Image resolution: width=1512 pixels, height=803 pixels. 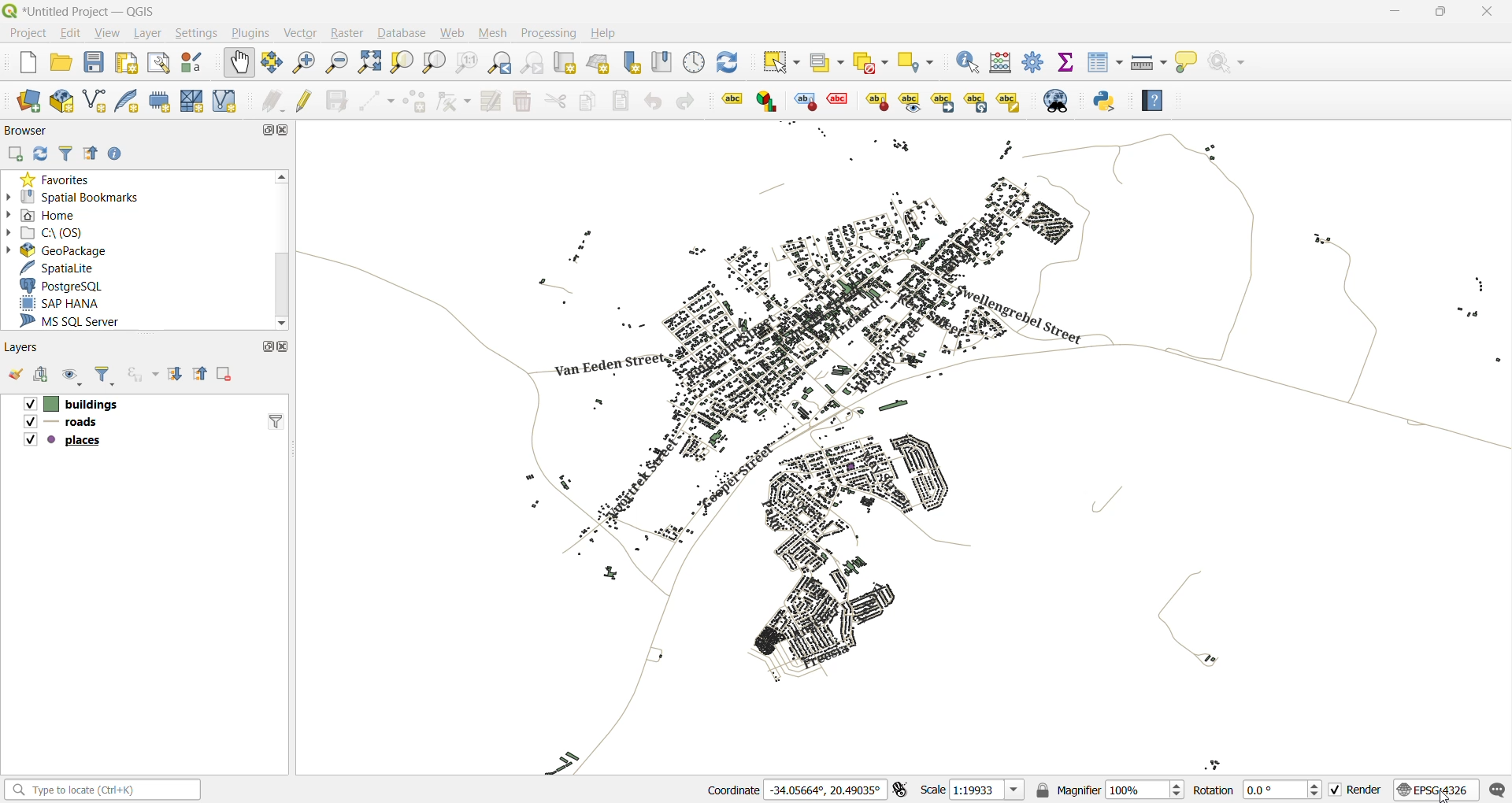 I want to click on zoom selection, so click(x=372, y=65).